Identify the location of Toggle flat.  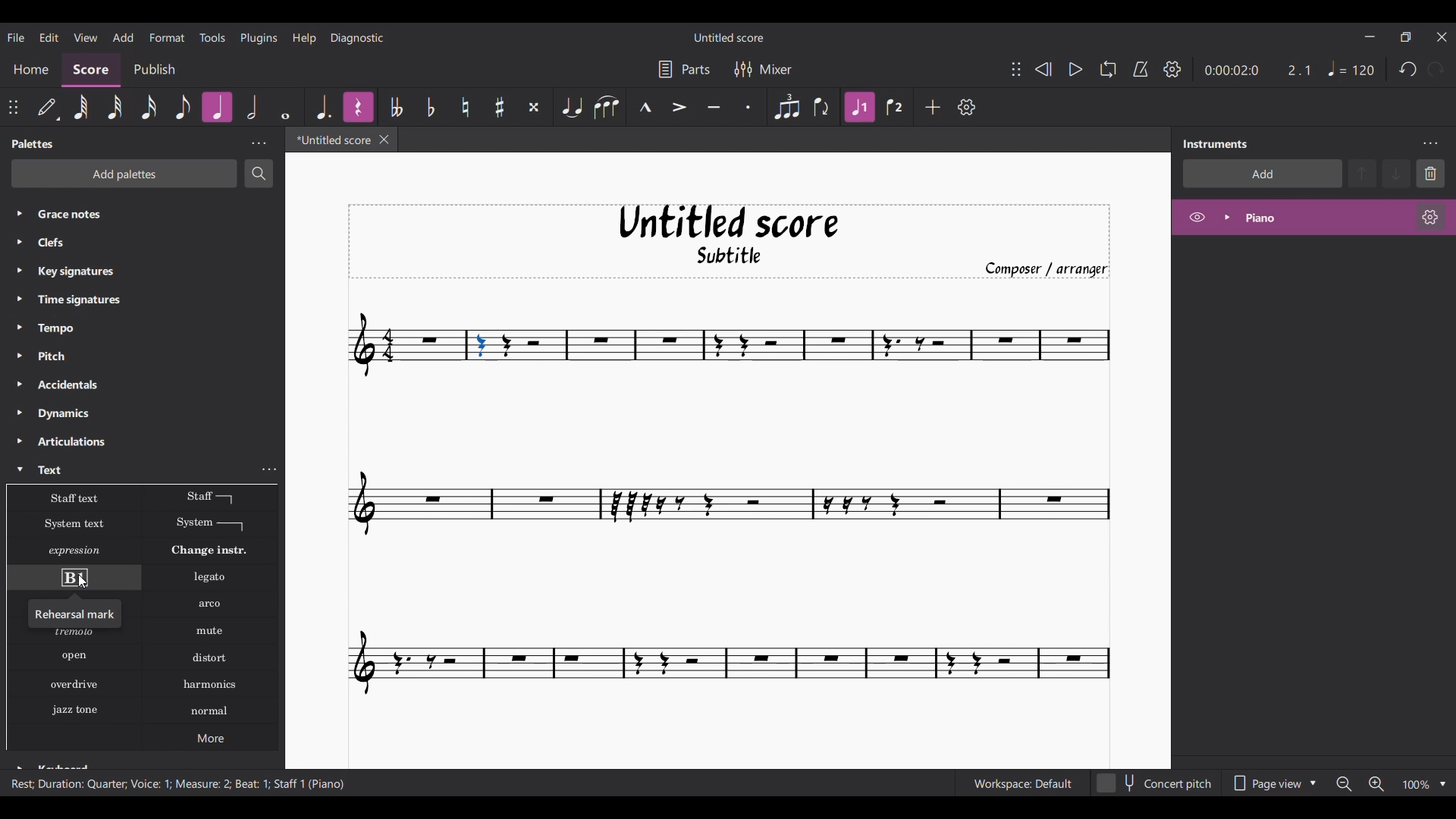
(431, 107).